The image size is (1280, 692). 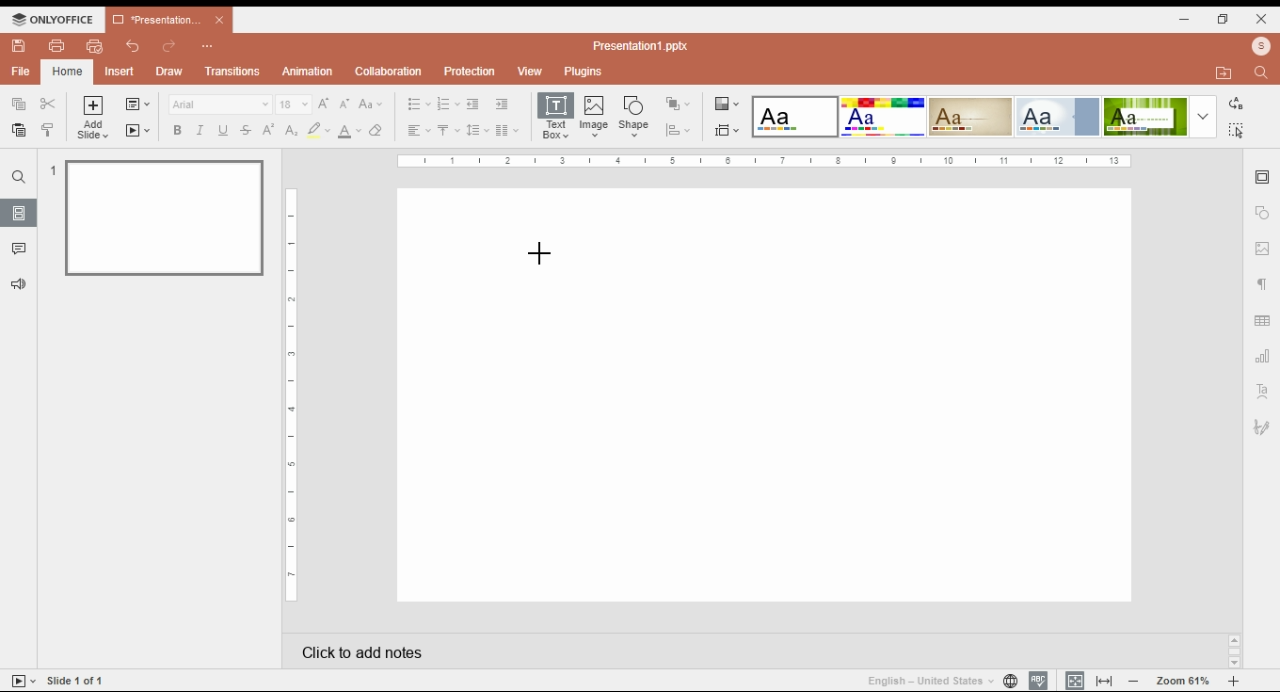 I want to click on redo, so click(x=168, y=48).